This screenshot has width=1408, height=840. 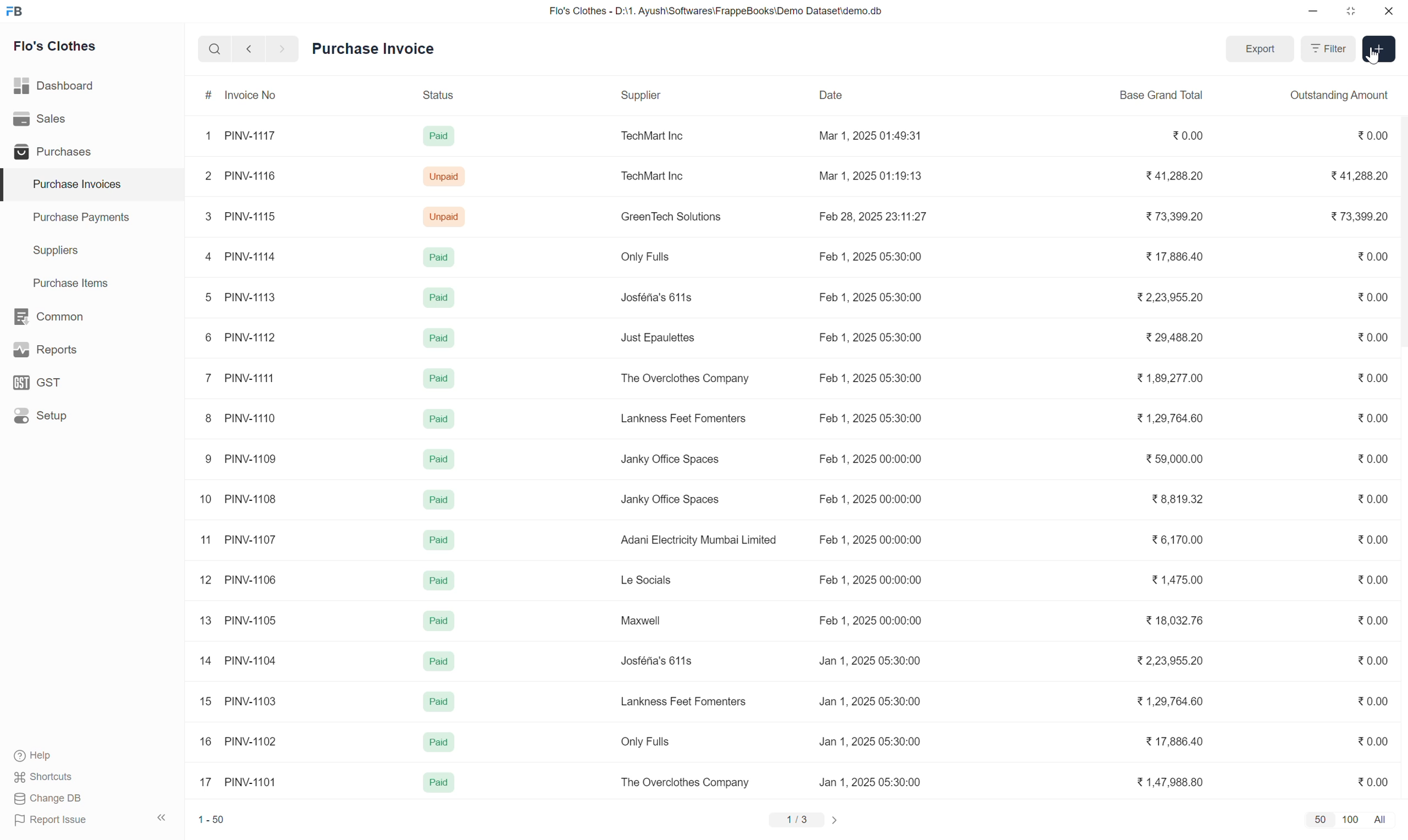 What do you see at coordinates (241, 175) in the screenshot?
I see `2 PINV-1116` at bounding box center [241, 175].